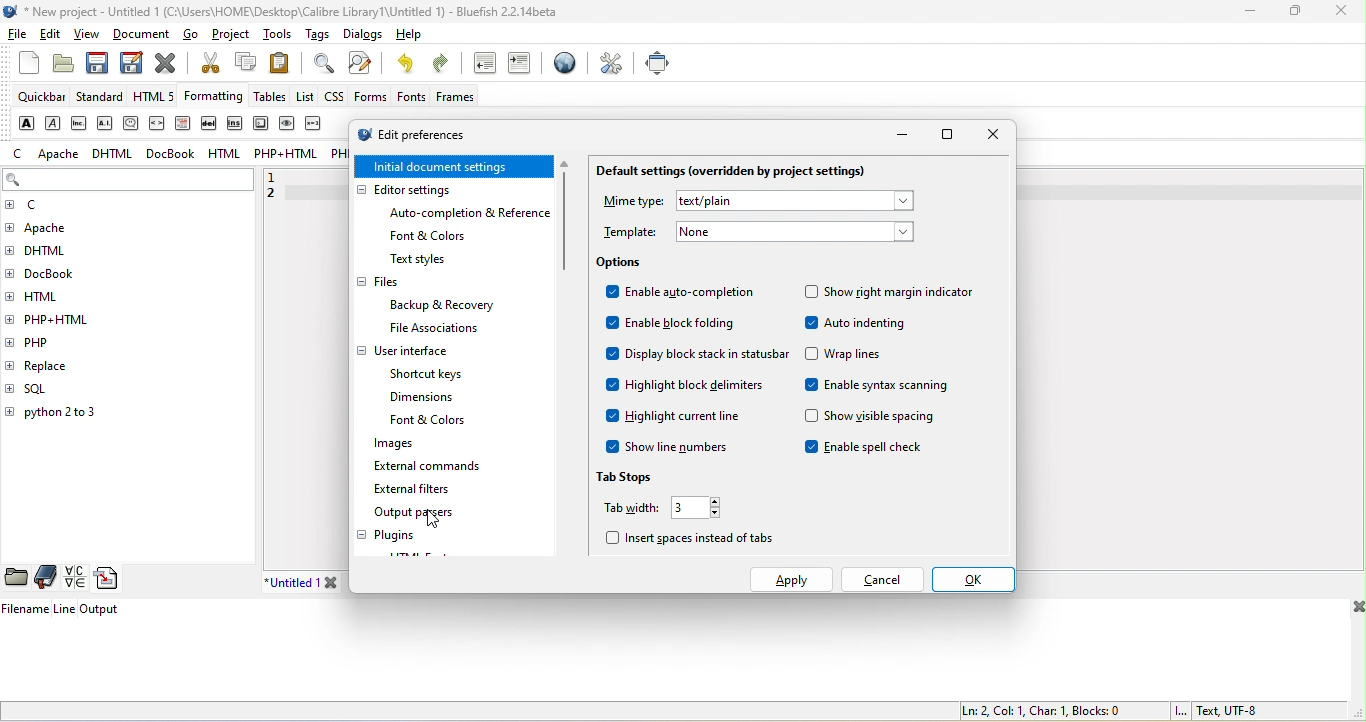 Image resolution: width=1366 pixels, height=722 pixels. Describe the element at coordinates (287, 156) in the screenshot. I see `php+html` at that location.